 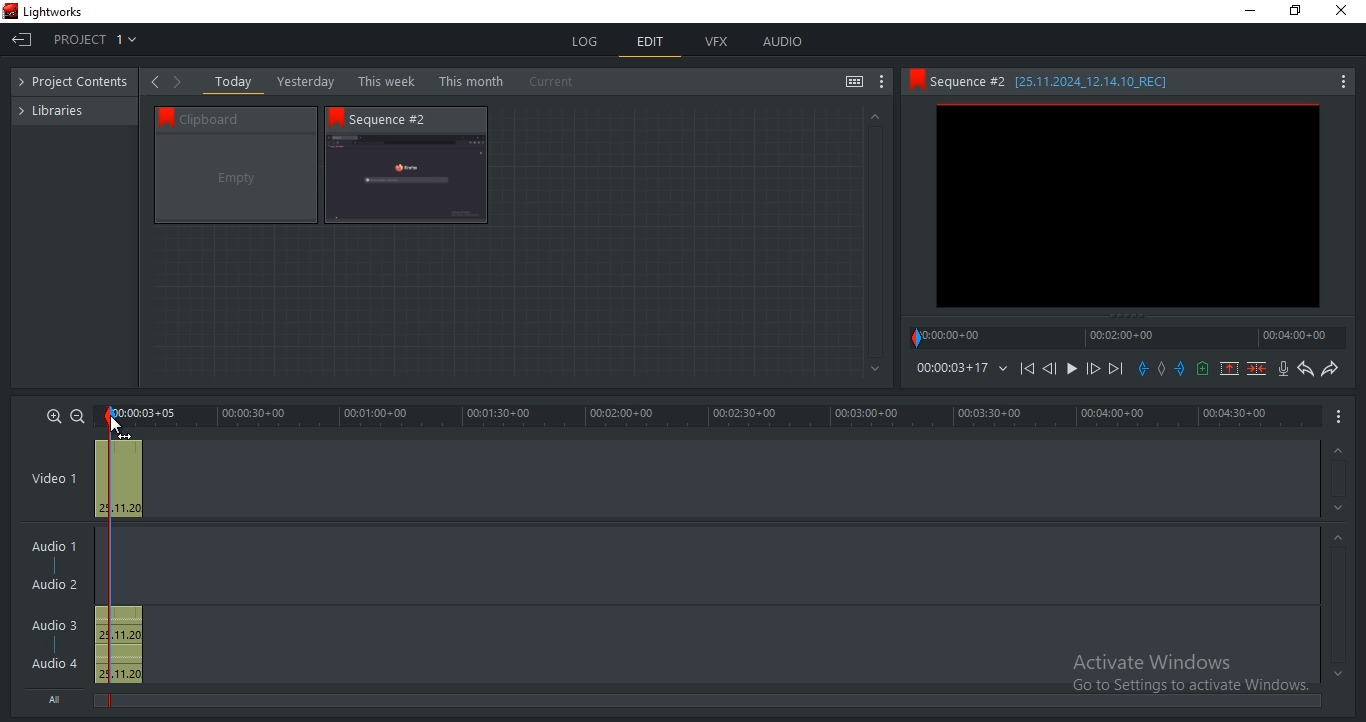 What do you see at coordinates (154, 81) in the screenshot?
I see `Show options to the left` at bounding box center [154, 81].